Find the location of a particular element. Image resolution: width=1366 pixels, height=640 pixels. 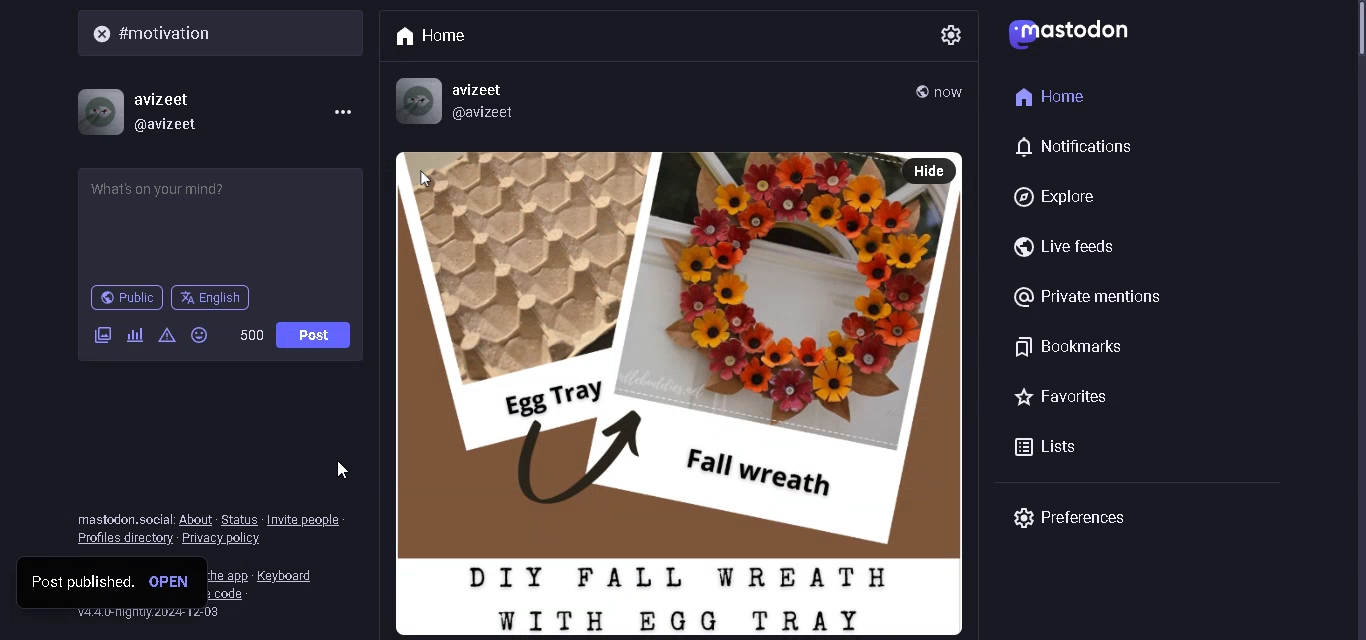

explore is located at coordinates (1060, 193).